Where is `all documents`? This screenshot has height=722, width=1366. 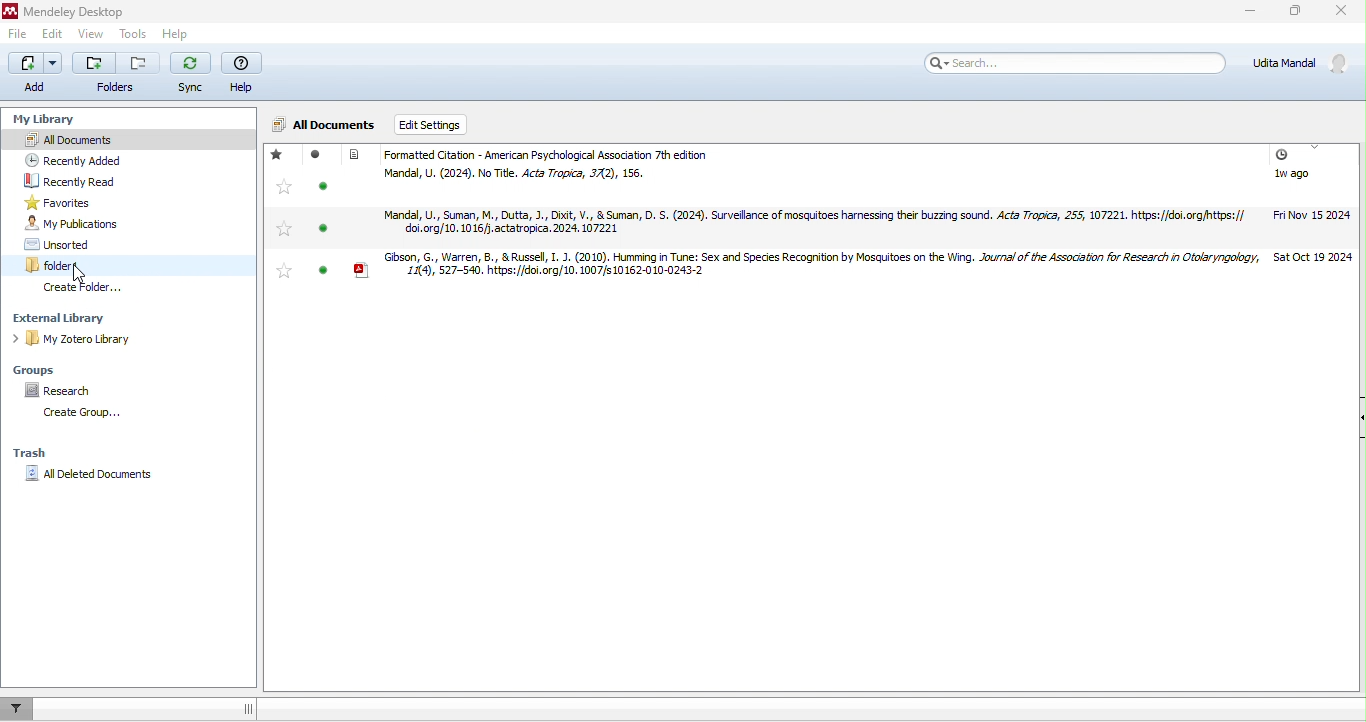
all documents is located at coordinates (326, 125).